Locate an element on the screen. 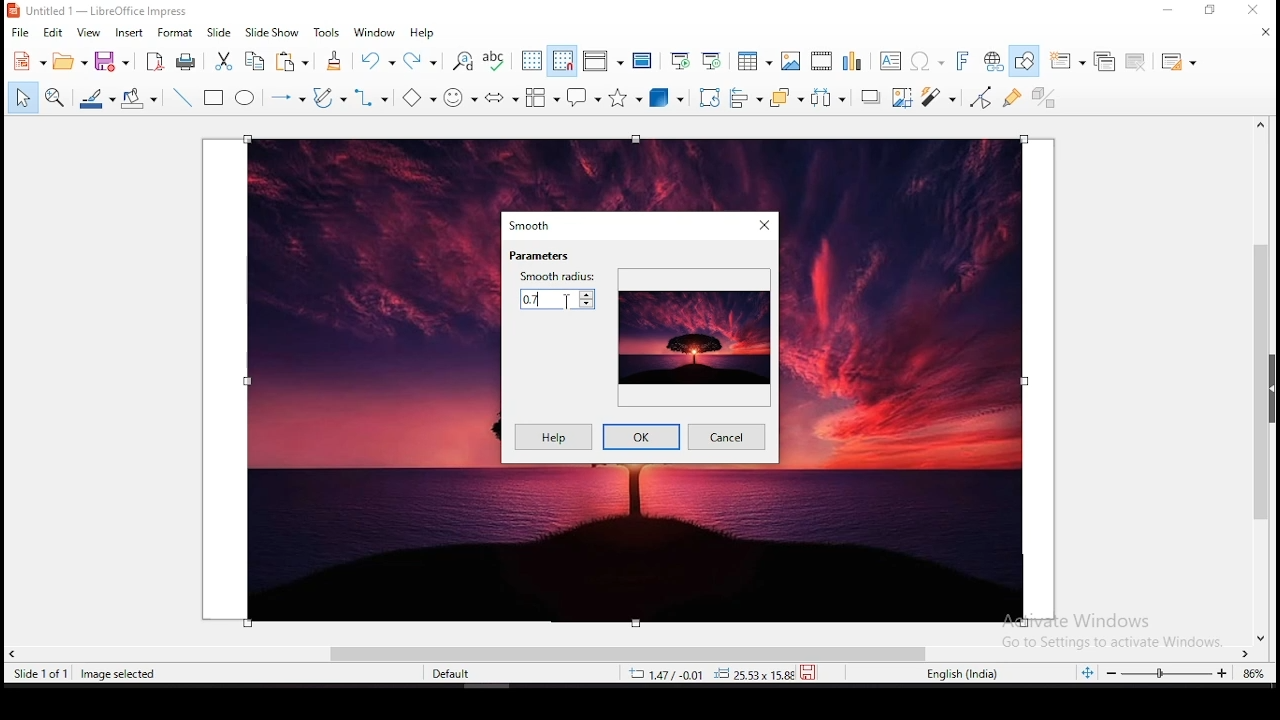 The image size is (1280, 720). open is located at coordinates (68, 62).